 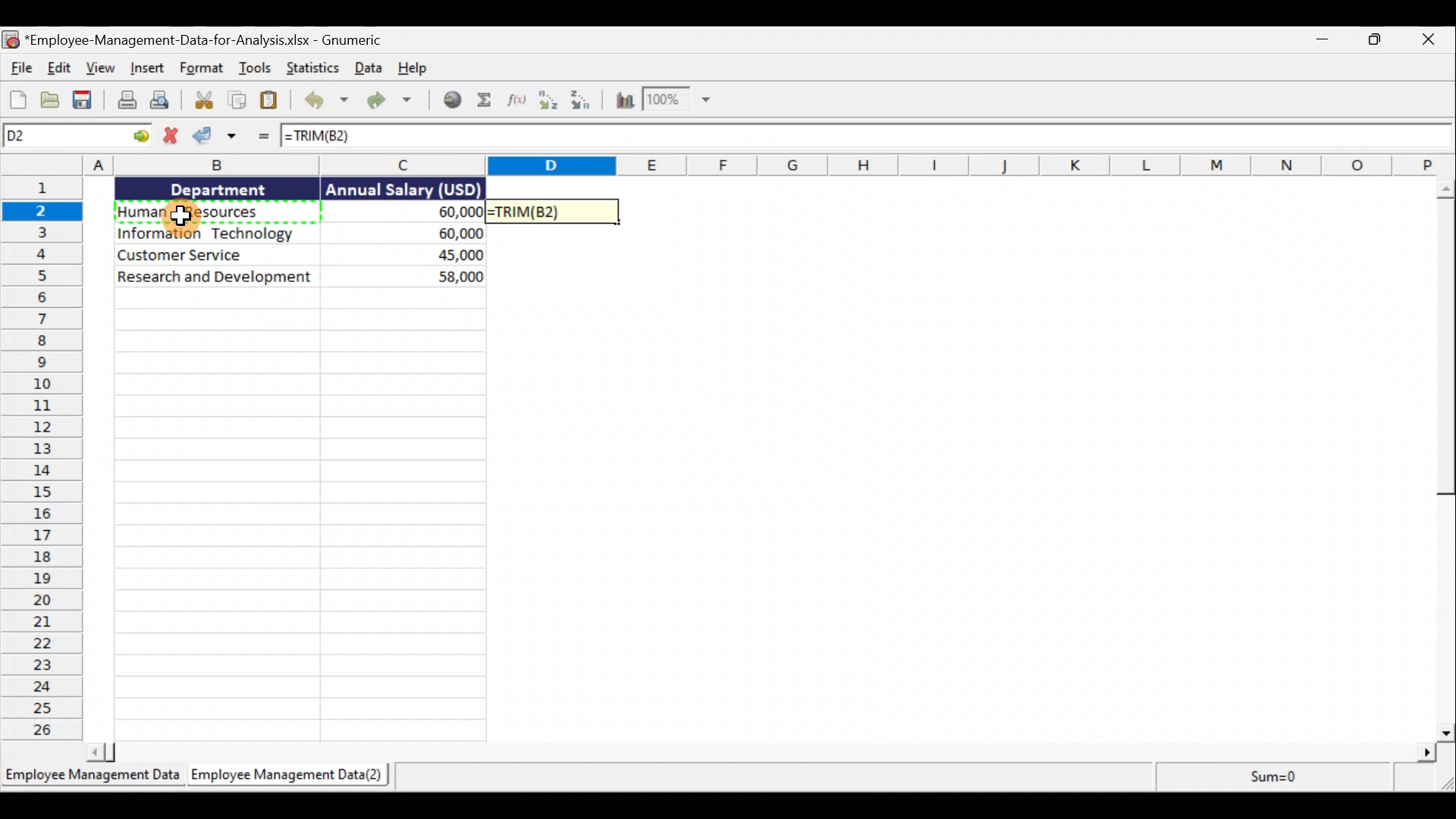 What do you see at coordinates (586, 101) in the screenshot?
I see `Sort descending` at bounding box center [586, 101].